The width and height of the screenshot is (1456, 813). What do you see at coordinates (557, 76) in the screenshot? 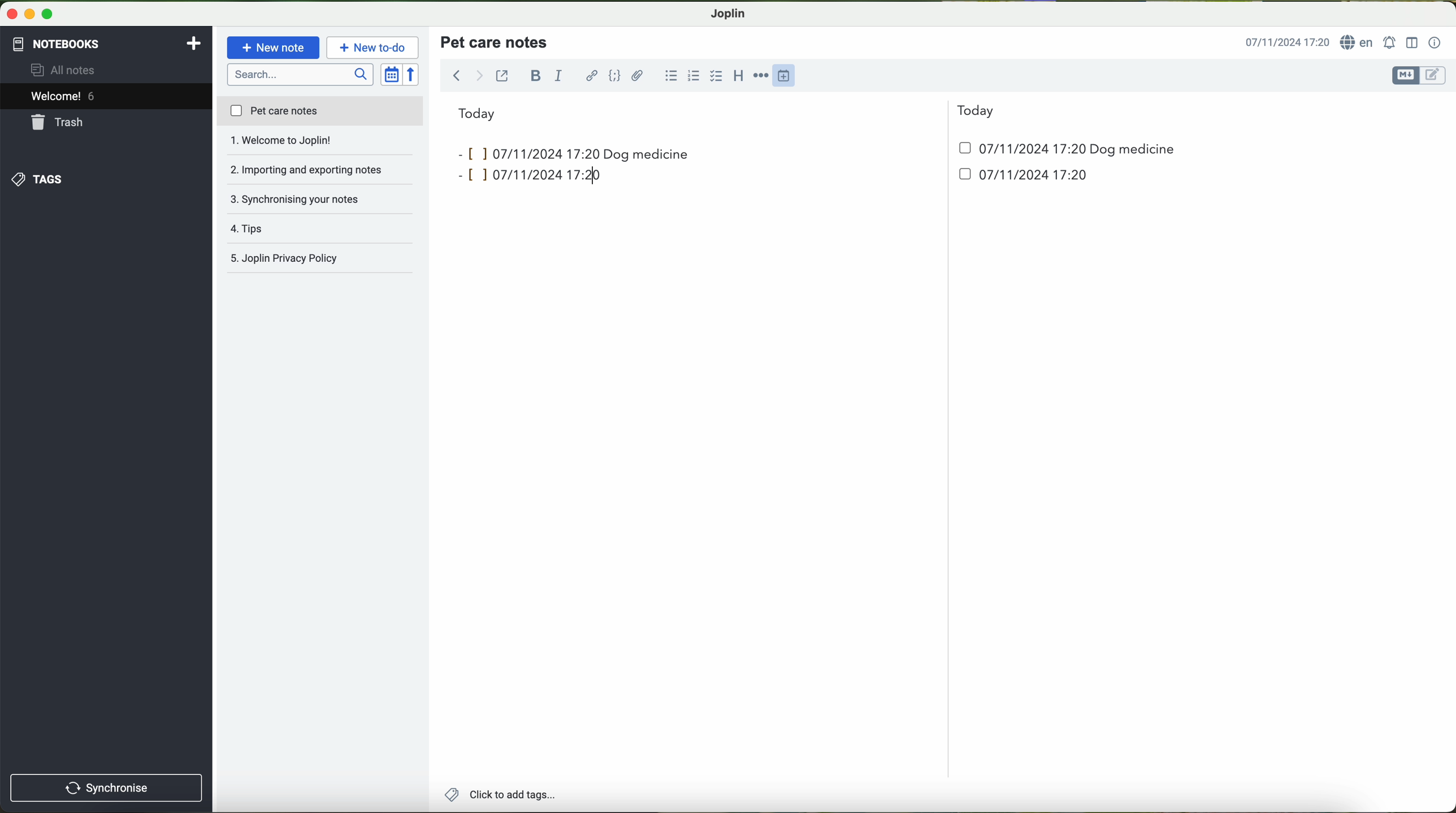
I see `italic` at bounding box center [557, 76].